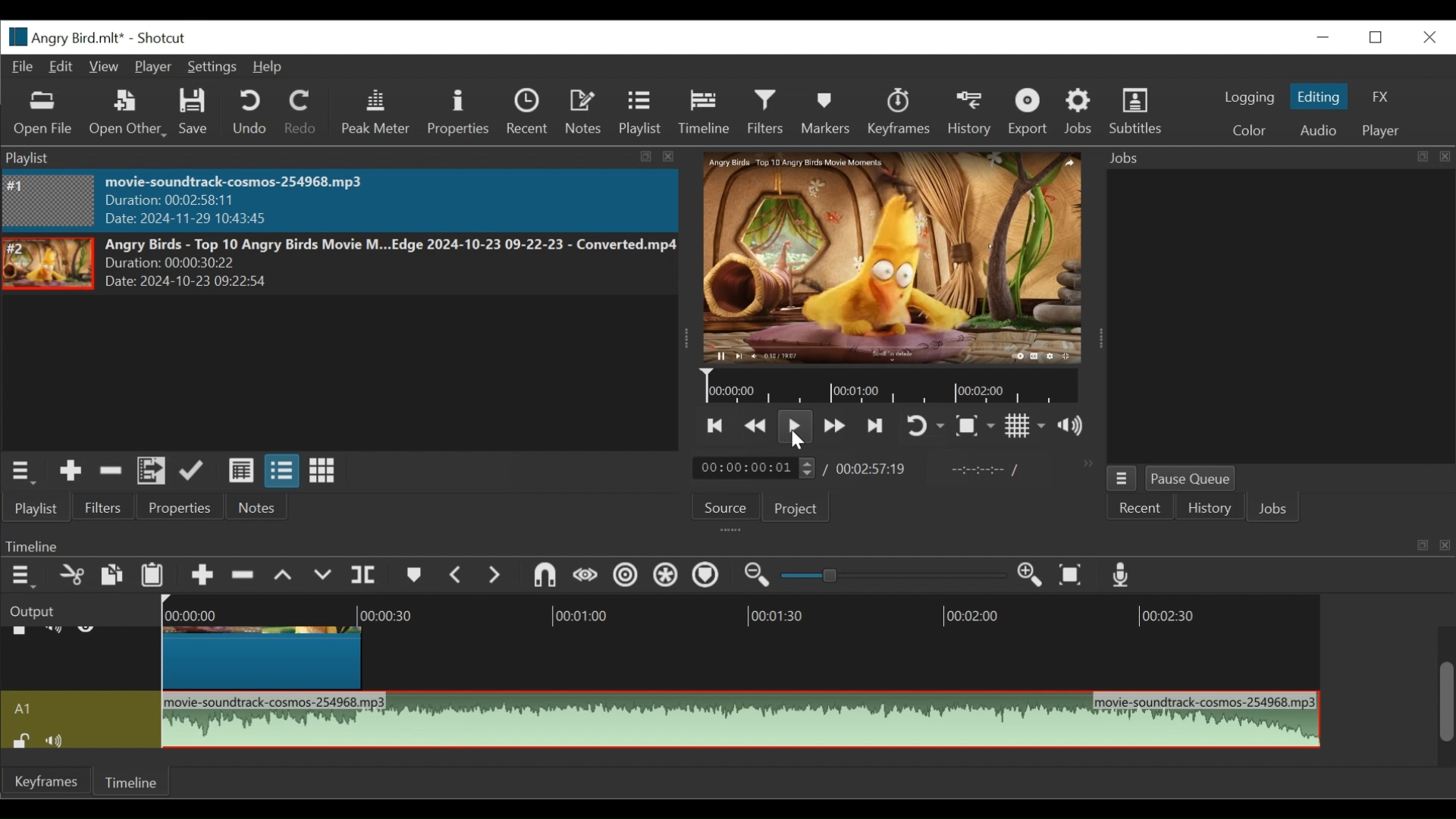 The image size is (1456, 819). Describe the element at coordinates (1195, 479) in the screenshot. I see `Pause Queue` at that location.